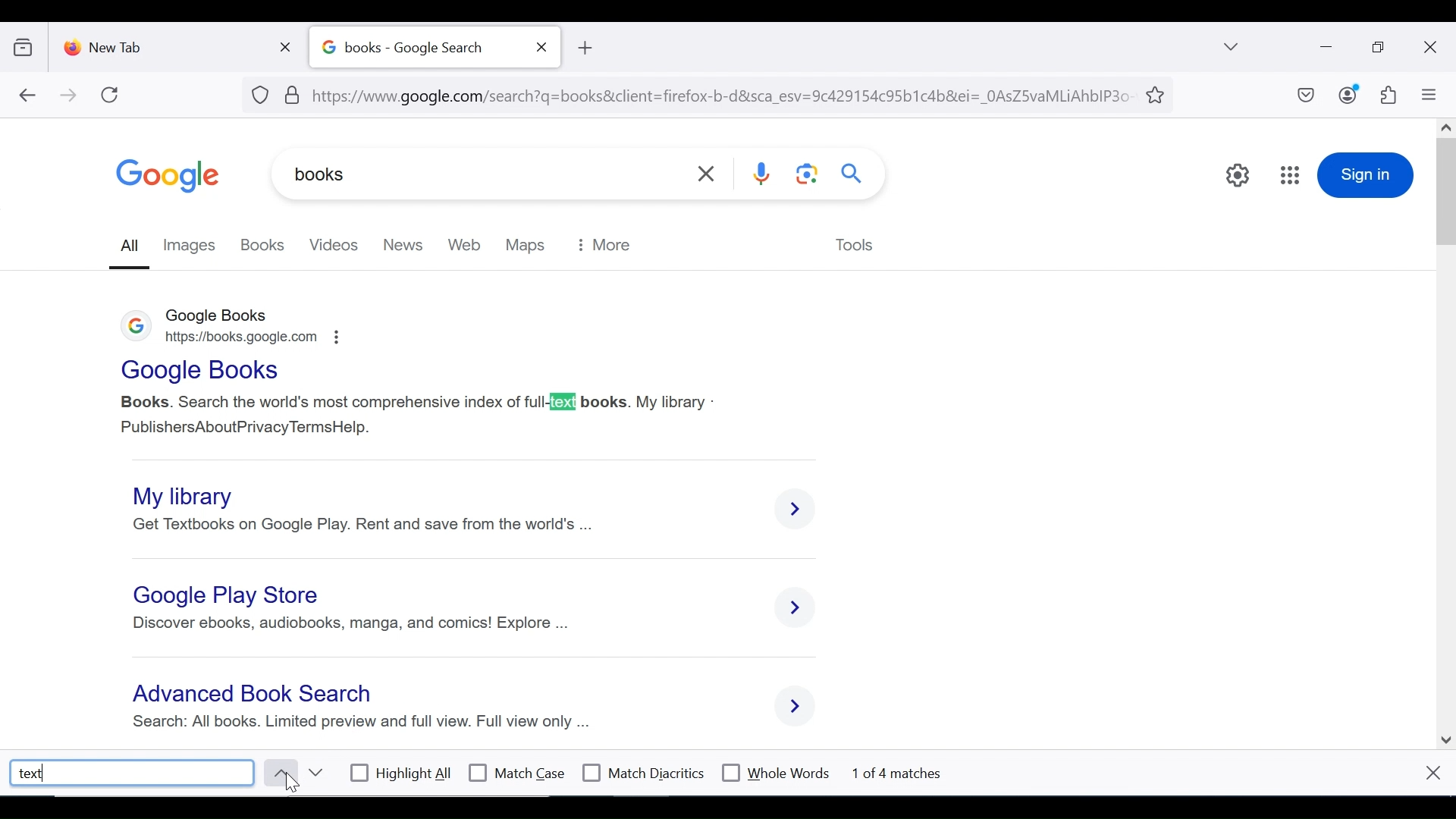 This screenshot has width=1456, height=819. I want to click on previous, so click(278, 773).